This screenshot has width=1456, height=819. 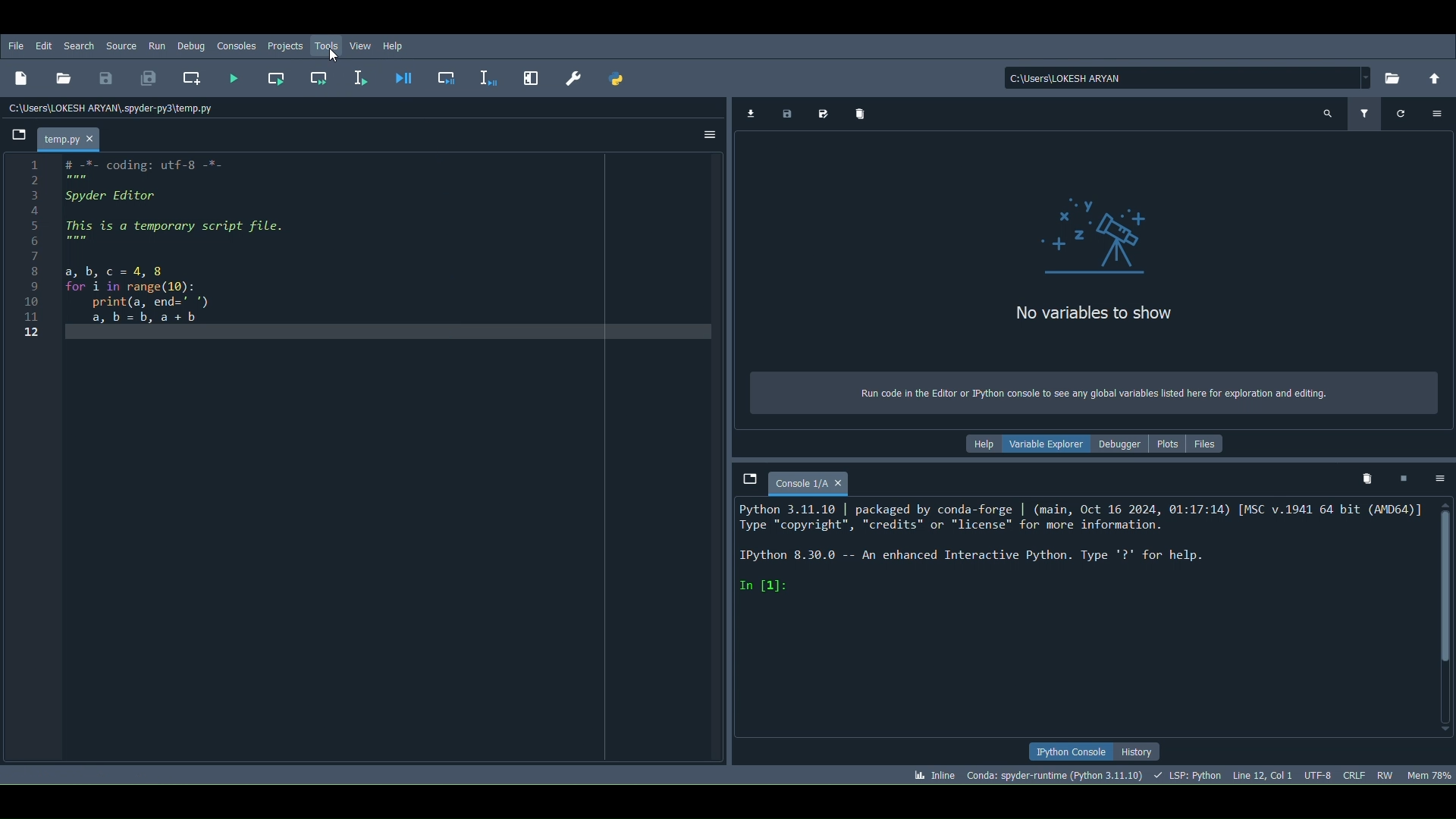 What do you see at coordinates (1072, 750) in the screenshot?
I see `IPython console` at bounding box center [1072, 750].